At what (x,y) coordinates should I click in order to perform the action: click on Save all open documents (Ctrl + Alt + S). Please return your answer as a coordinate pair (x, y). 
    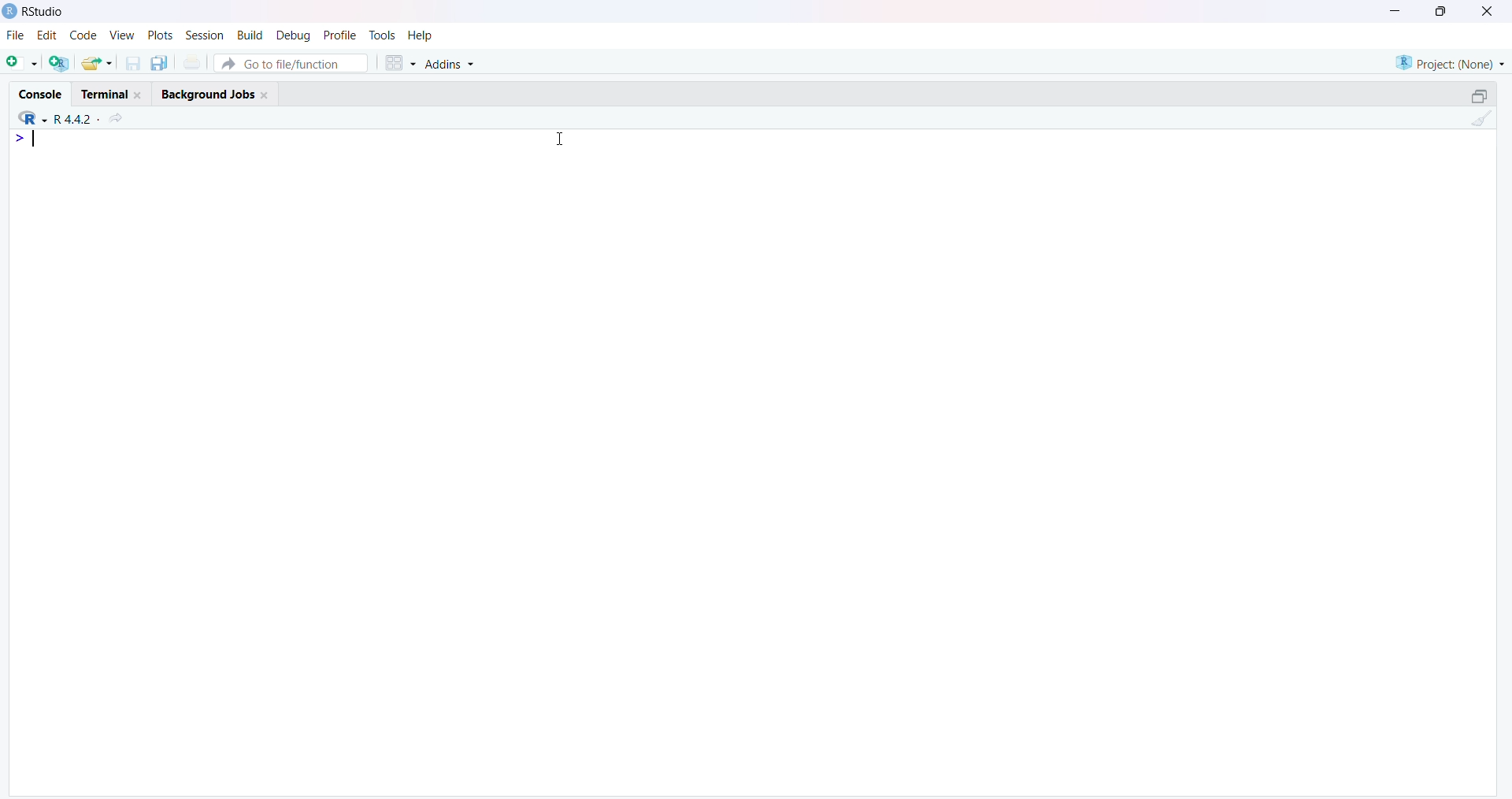
    Looking at the image, I should click on (164, 61).